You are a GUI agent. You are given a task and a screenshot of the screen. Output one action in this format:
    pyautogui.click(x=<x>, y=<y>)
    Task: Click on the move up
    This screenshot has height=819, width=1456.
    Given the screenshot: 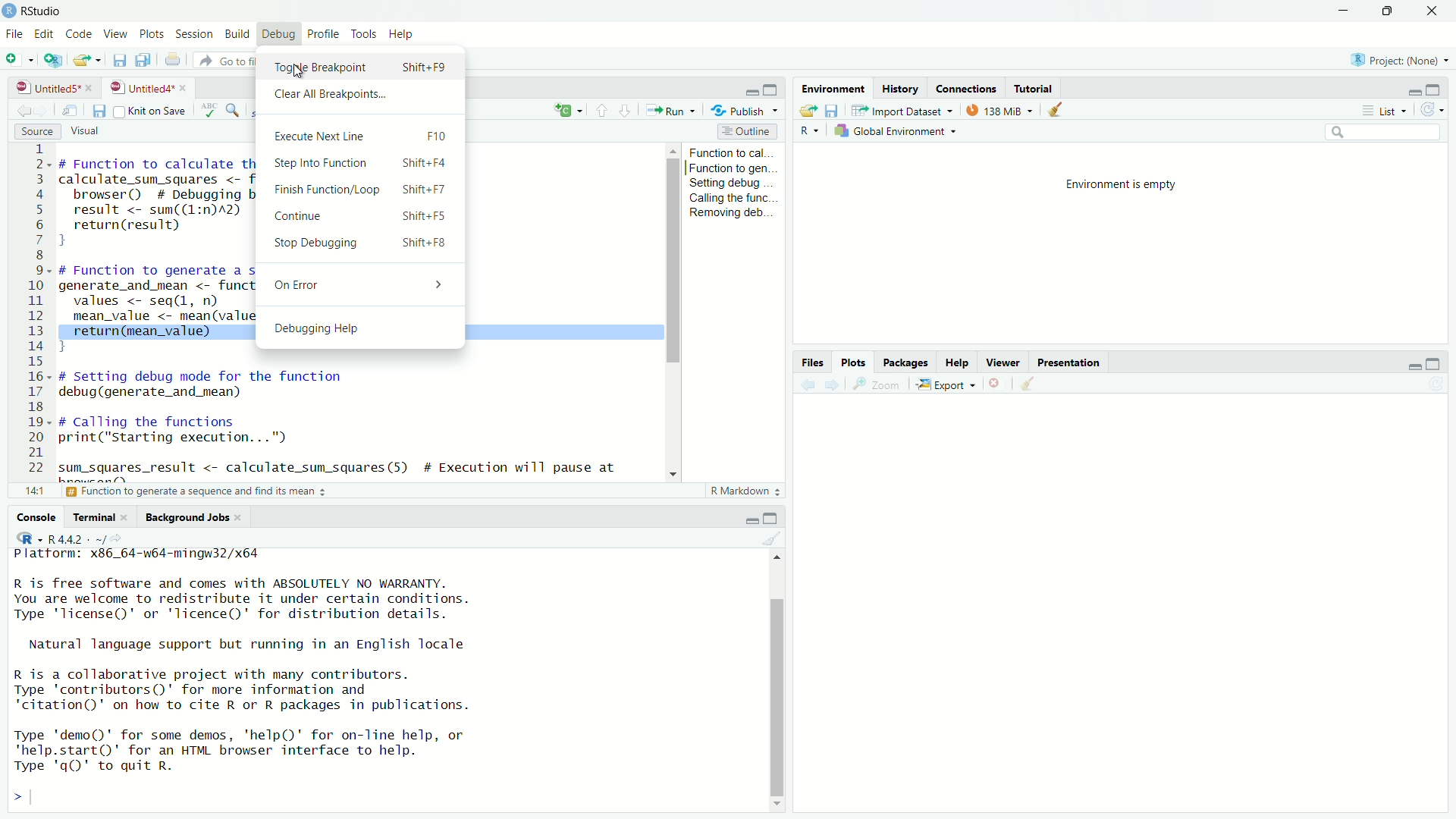 What is the action you would take?
    pyautogui.click(x=777, y=560)
    